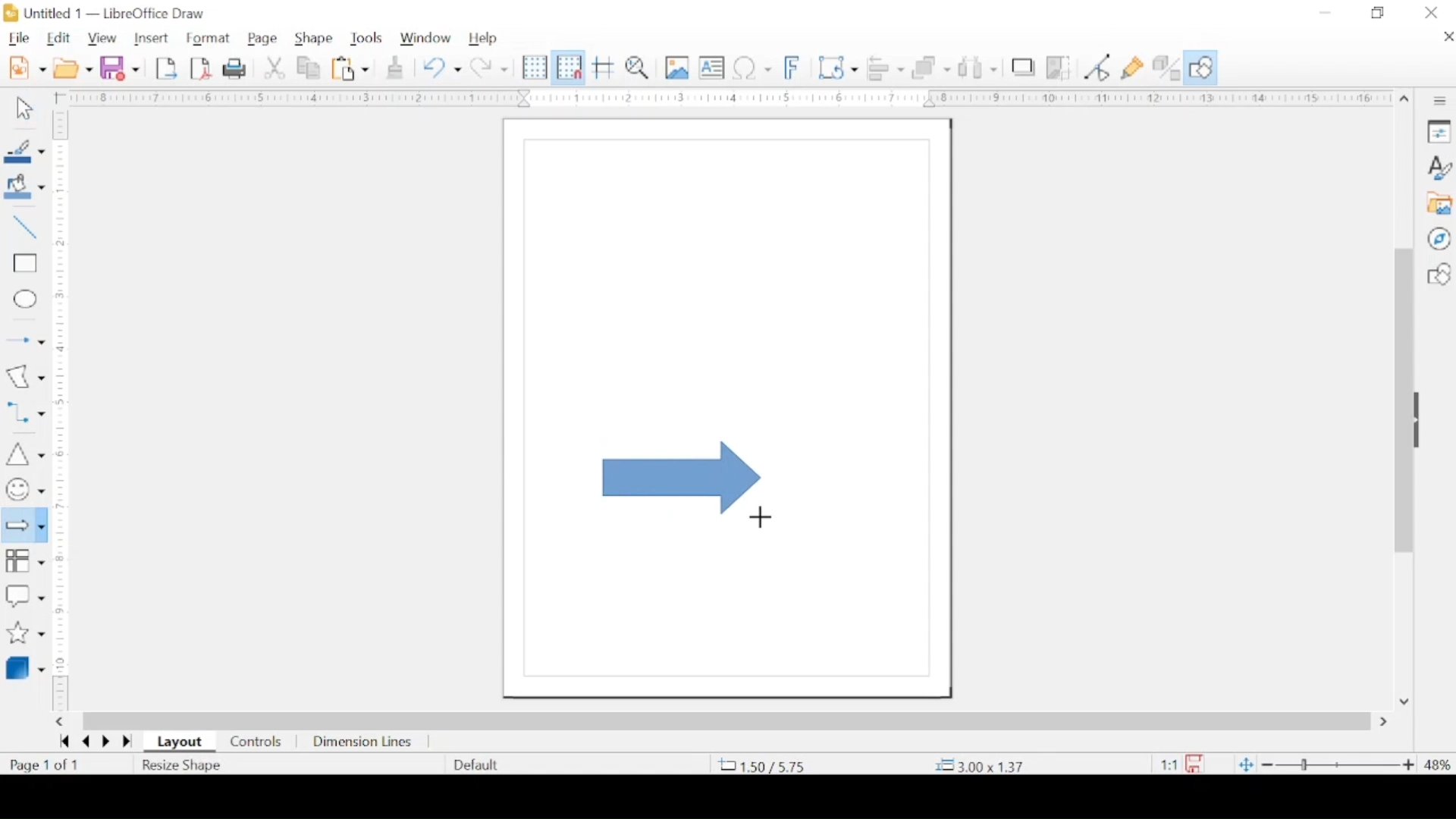  I want to click on this document has been modified, so click(1176, 764).